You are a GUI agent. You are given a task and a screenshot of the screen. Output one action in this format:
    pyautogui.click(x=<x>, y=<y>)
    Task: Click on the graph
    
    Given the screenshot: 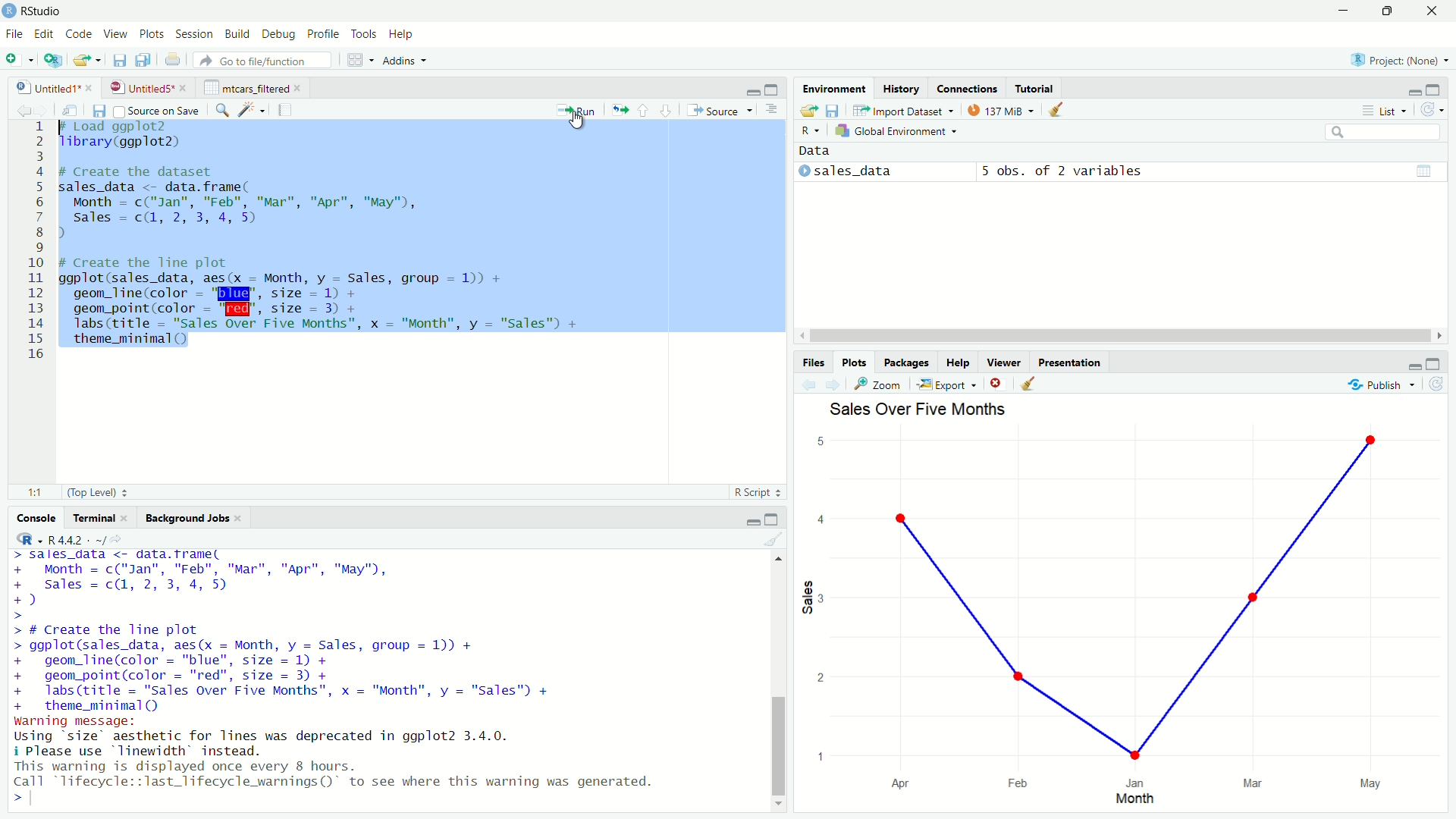 What is the action you would take?
    pyautogui.click(x=1123, y=618)
    